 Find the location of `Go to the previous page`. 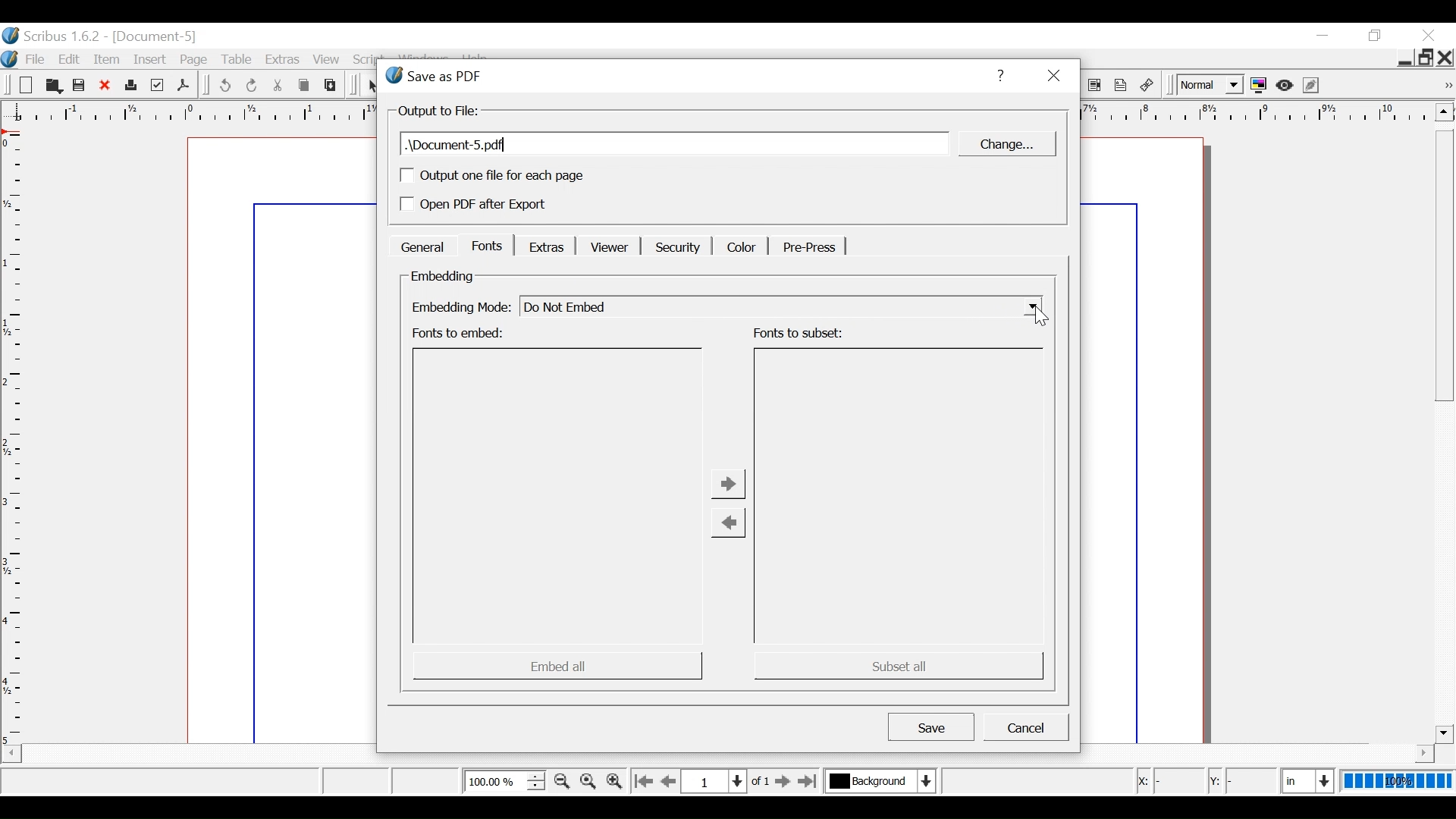

Go to the previous page is located at coordinates (670, 781).